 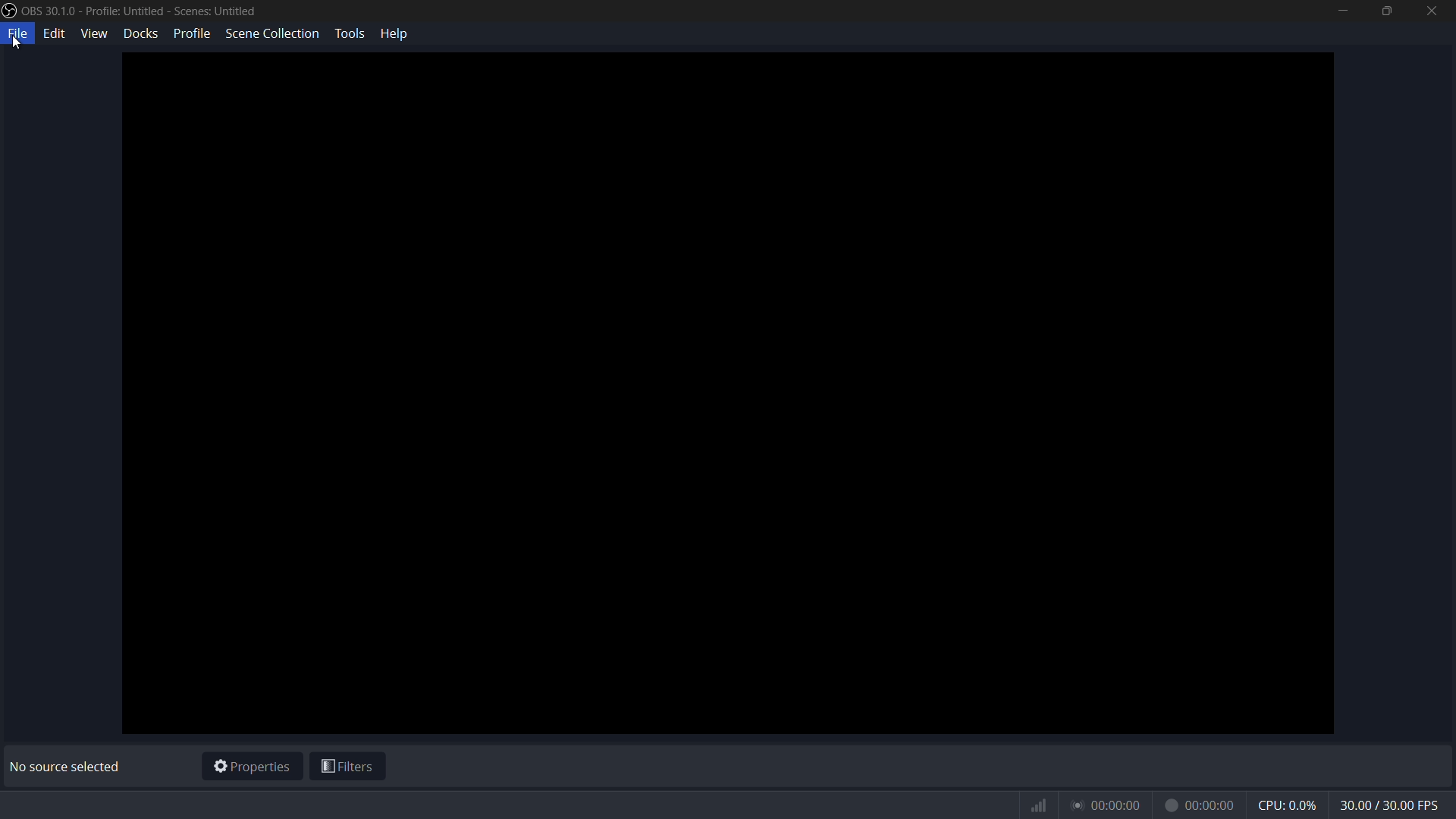 What do you see at coordinates (252, 767) in the screenshot?
I see `properties` at bounding box center [252, 767].